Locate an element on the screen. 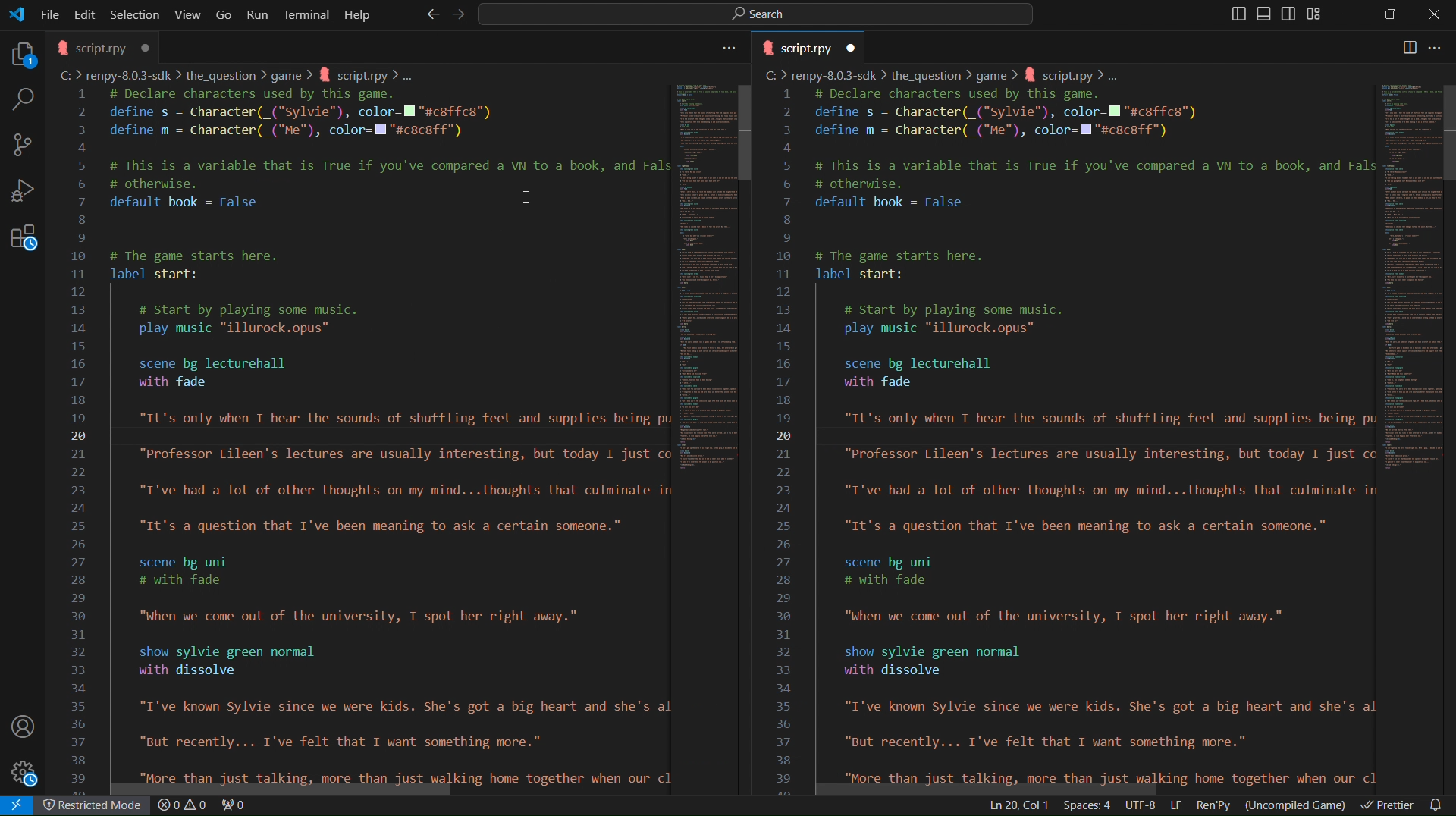 The width and height of the screenshot is (1456, 816). Back is located at coordinates (430, 14).